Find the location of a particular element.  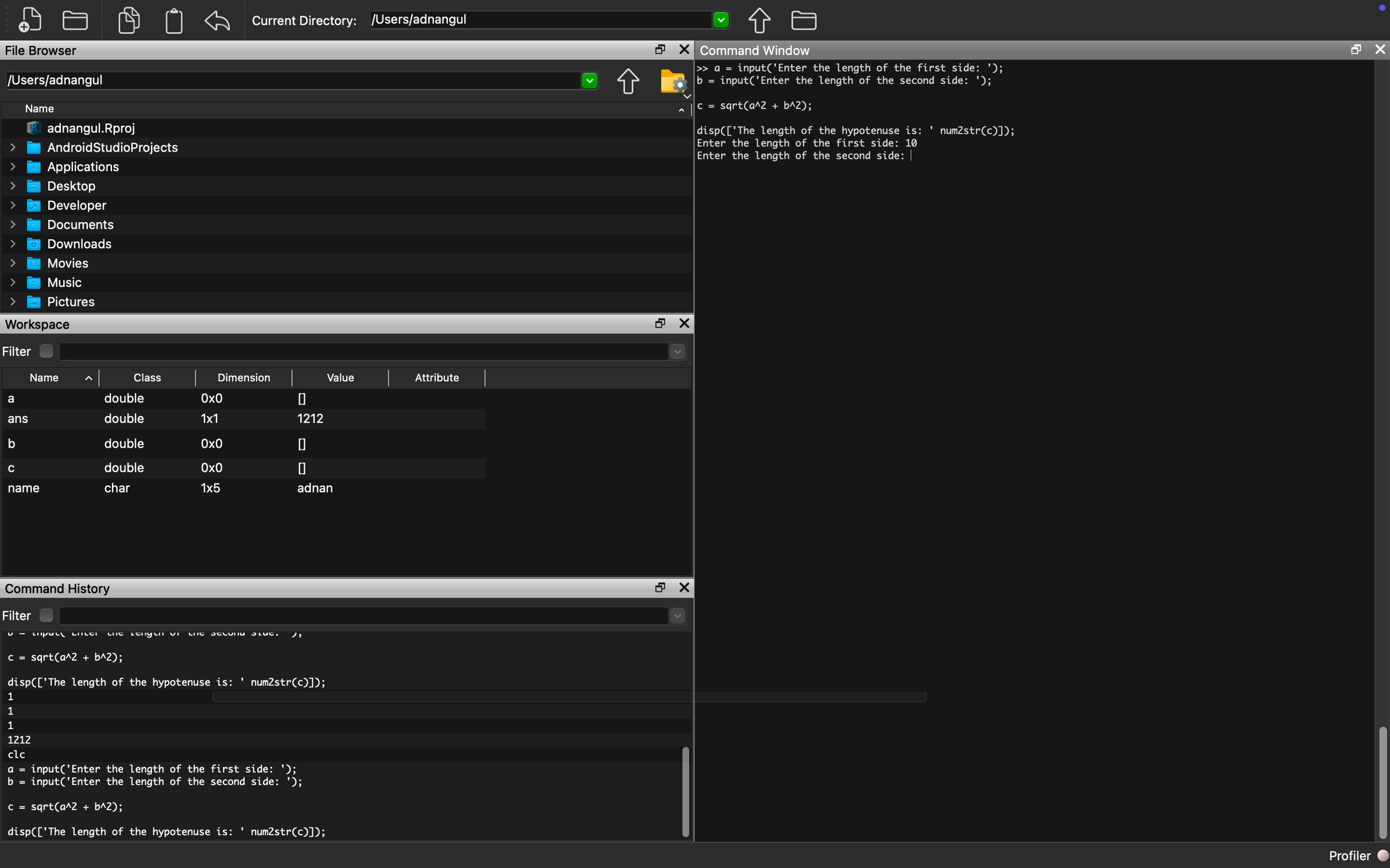

 Movies is located at coordinates (51, 263).